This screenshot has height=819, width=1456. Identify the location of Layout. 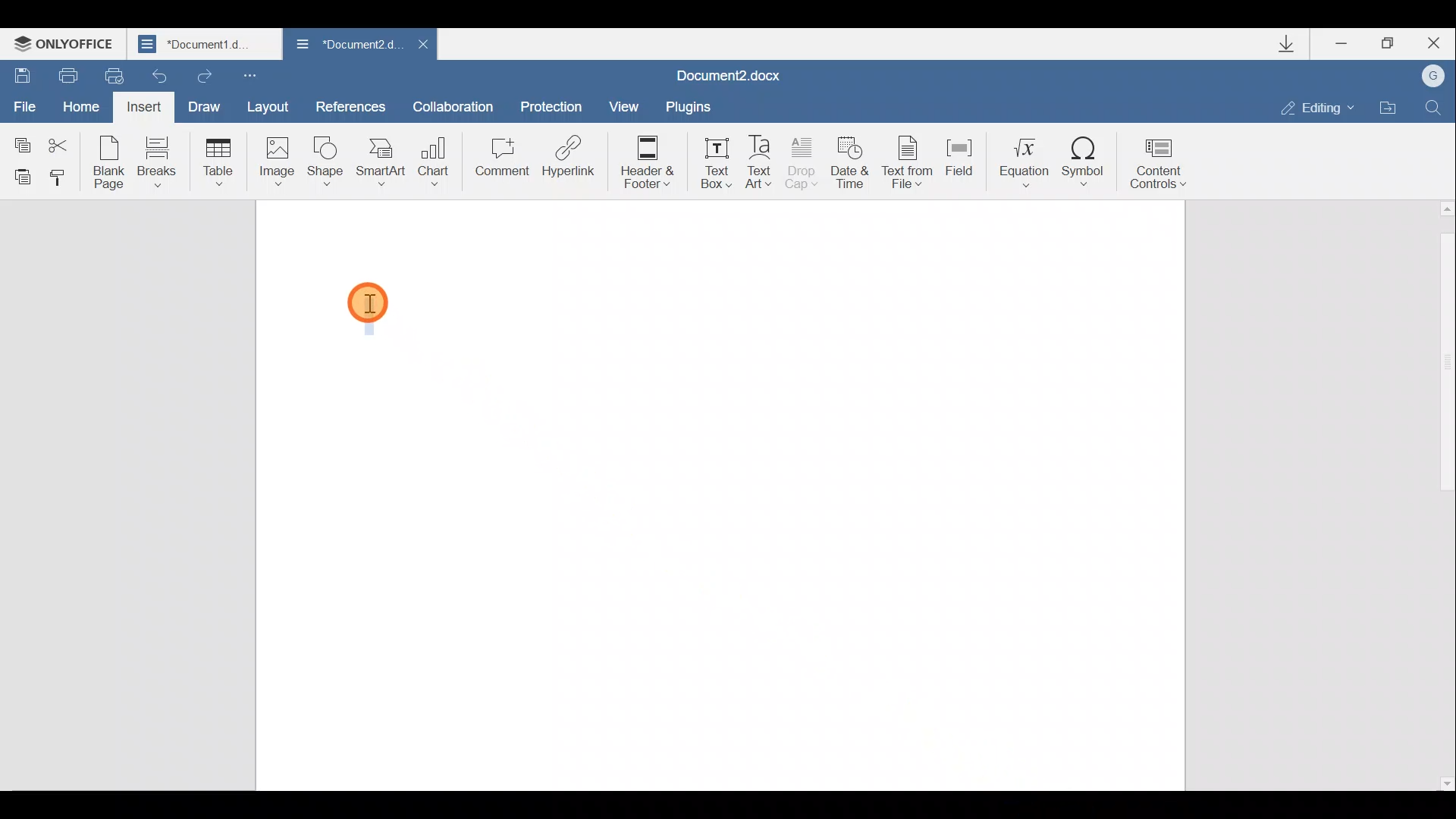
(276, 109).